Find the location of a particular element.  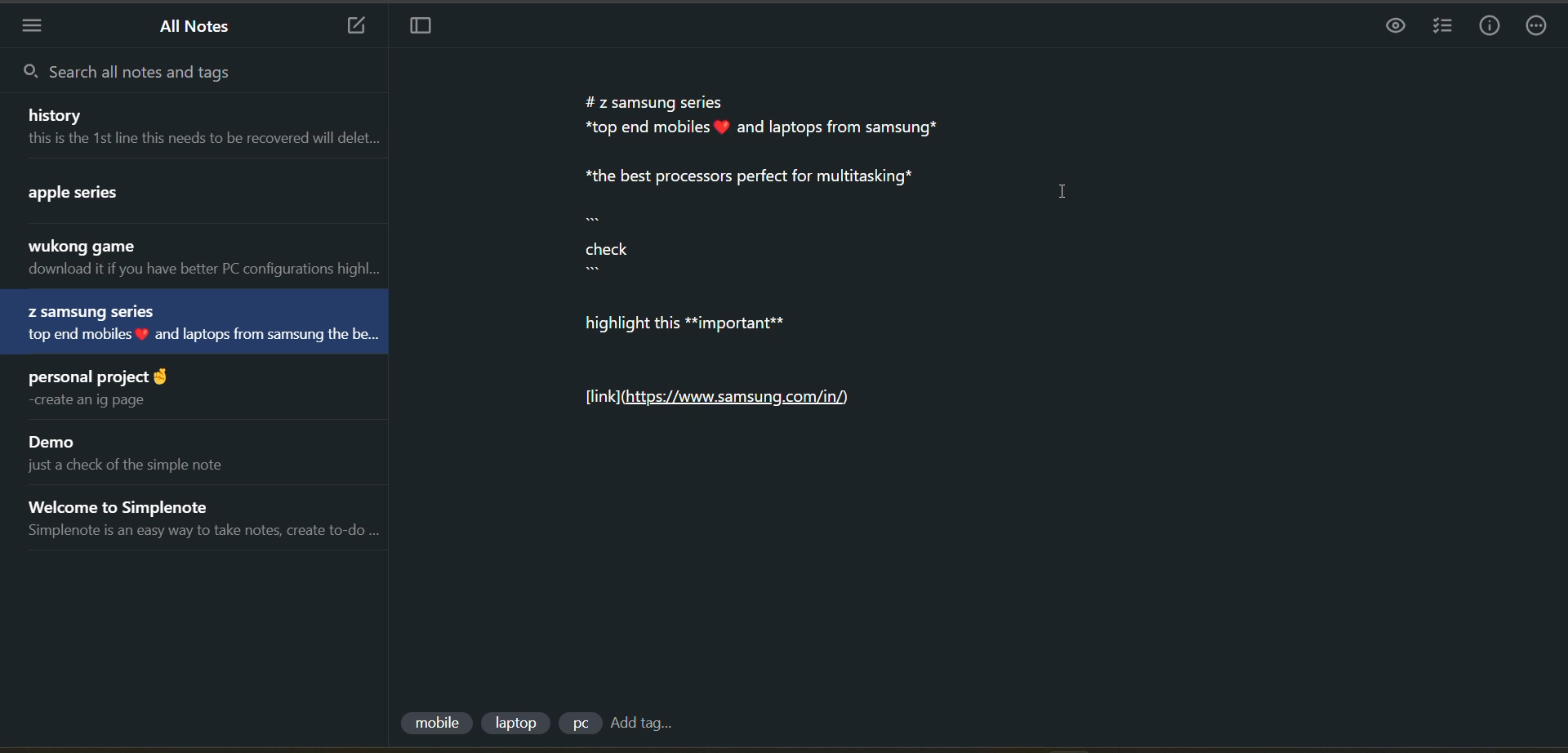

note title and preview is located at coordinates (161, 198).